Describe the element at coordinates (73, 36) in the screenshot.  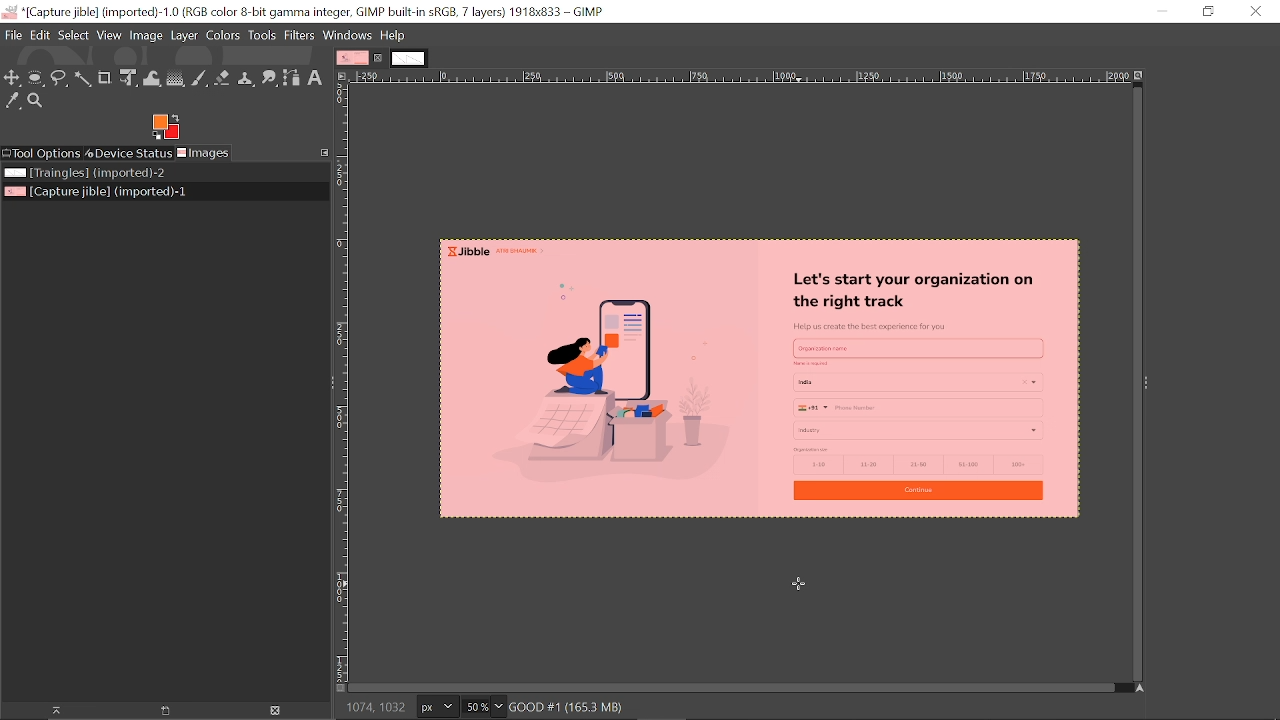
I see `Select` at that location.